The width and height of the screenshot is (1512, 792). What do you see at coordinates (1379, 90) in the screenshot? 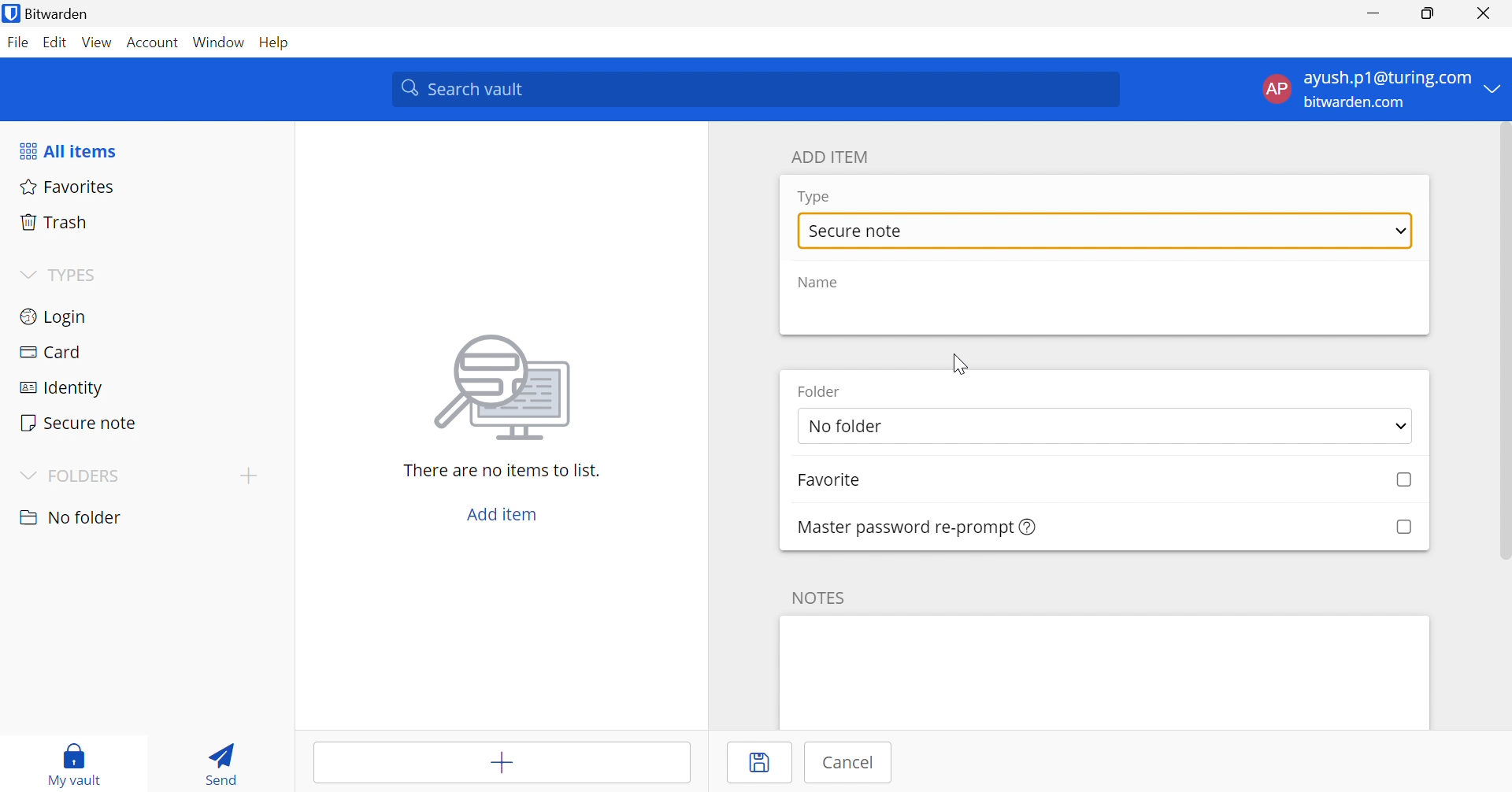
I see `account menu` at bounding box center [1379, 90].